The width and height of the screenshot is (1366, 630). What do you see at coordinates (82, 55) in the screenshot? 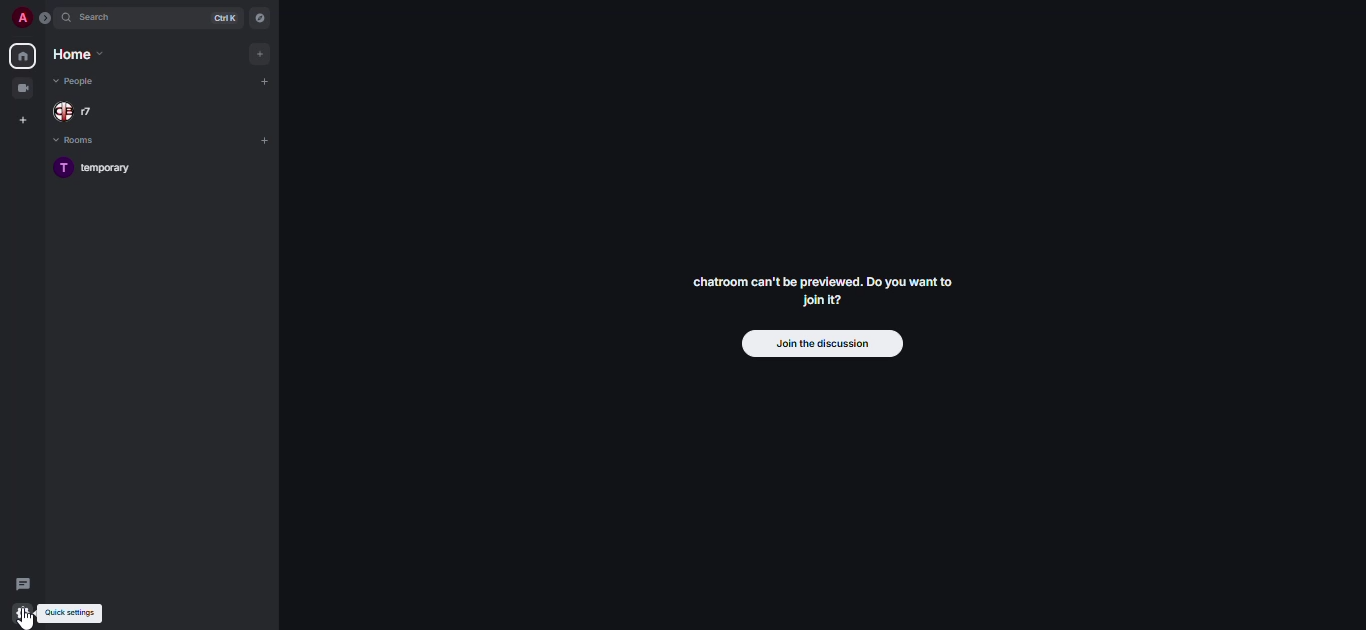
I see `home` at bounding box center [82, 55].